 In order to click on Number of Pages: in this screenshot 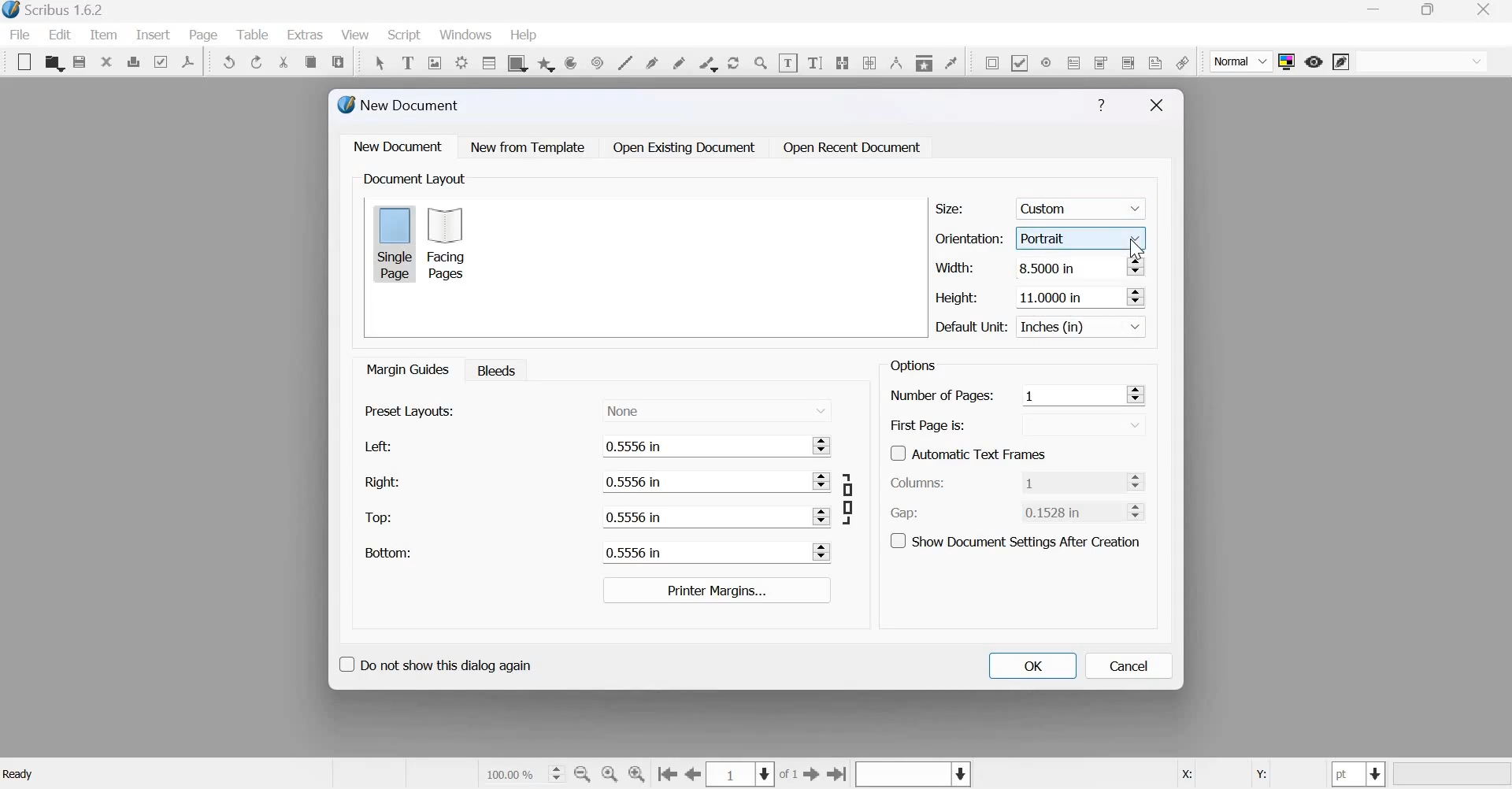, I will do `click(942, 397)`.